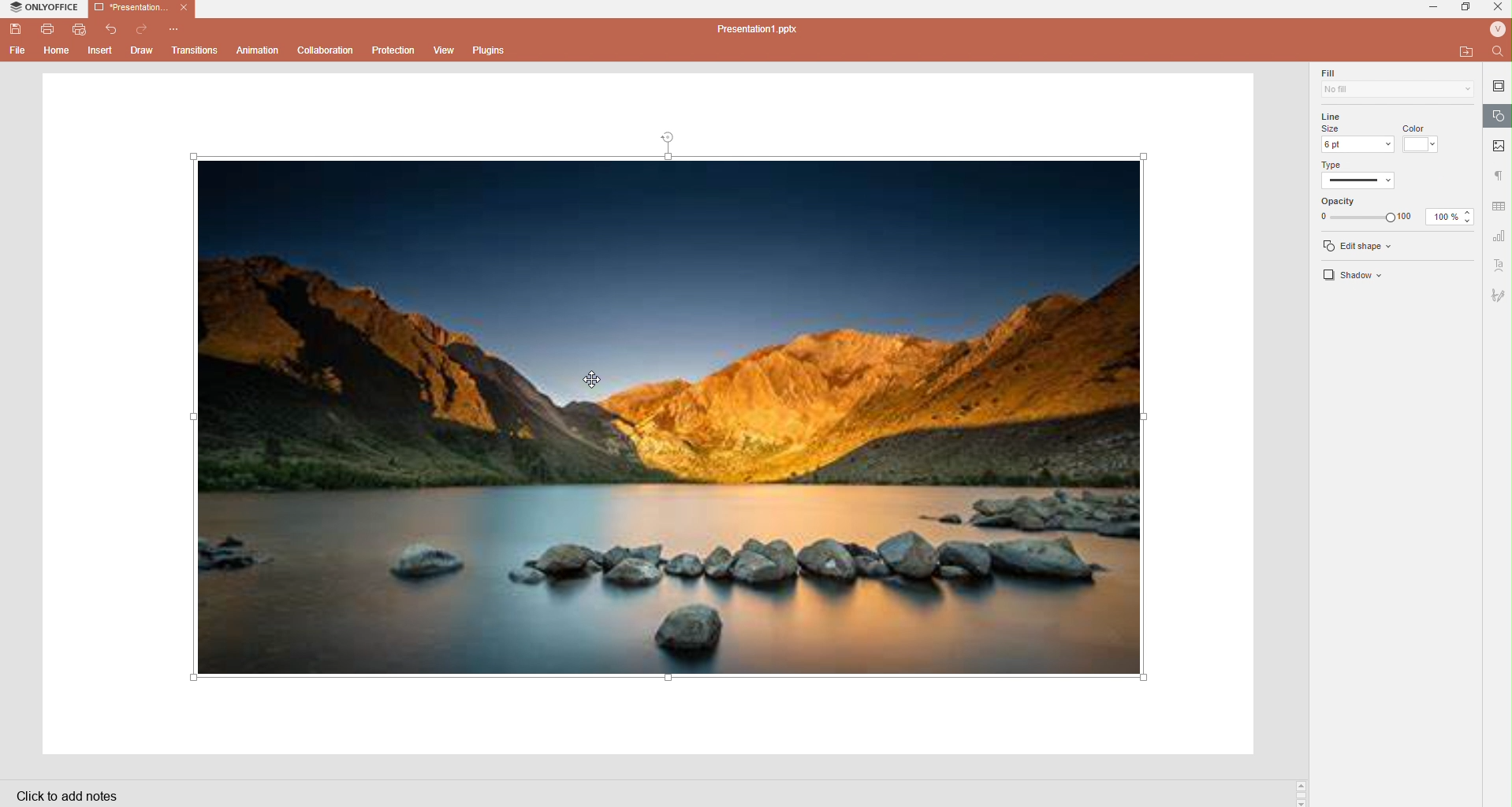 The width and height of the screenshot is (1512, 807). I want to click on Slide settings, so click(1499, 86).